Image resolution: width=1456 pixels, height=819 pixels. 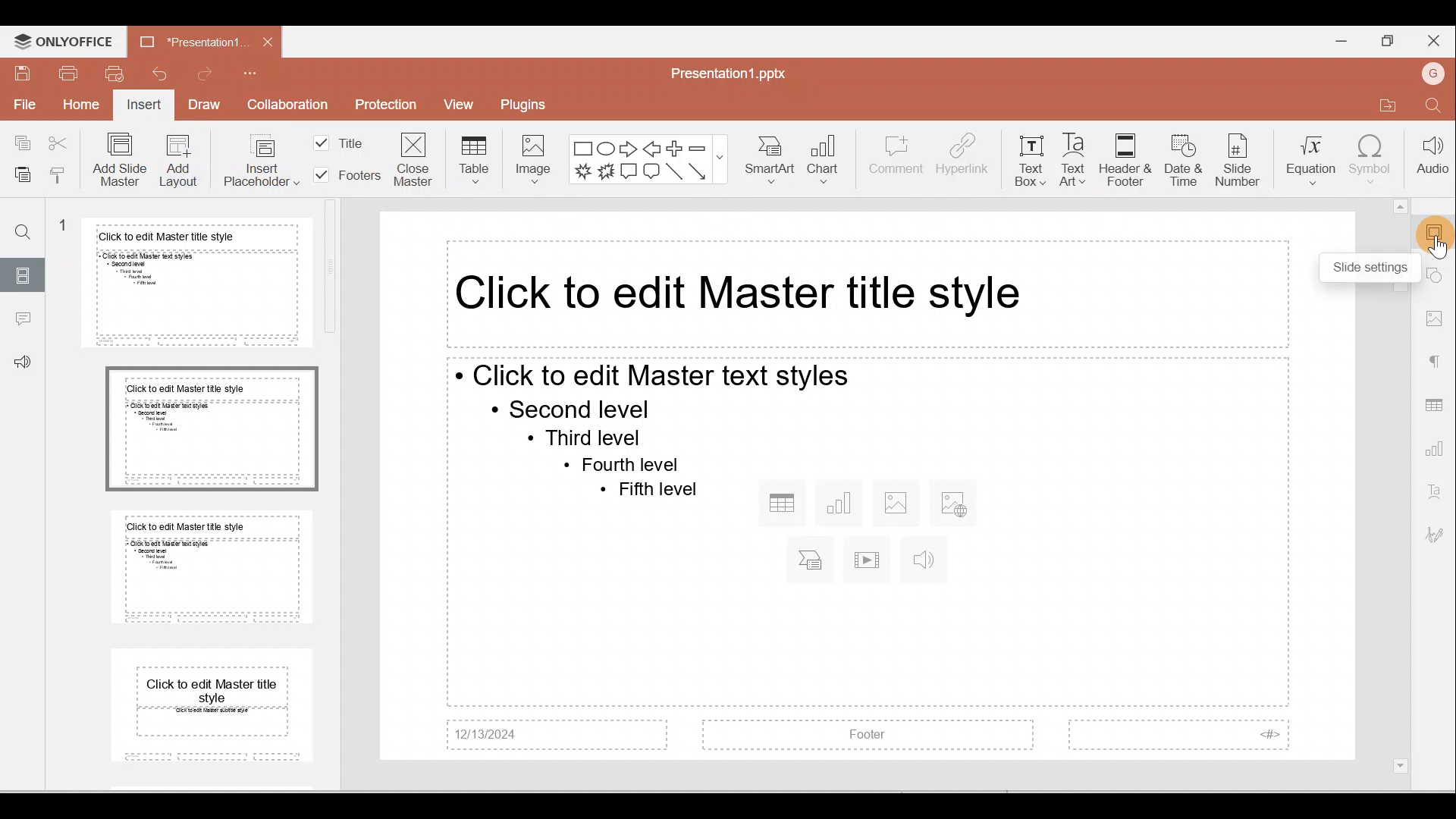 What do you see at coordinates (115, 73) in the screenshot?
I see `Quick print` at bounding box center [115, 73].